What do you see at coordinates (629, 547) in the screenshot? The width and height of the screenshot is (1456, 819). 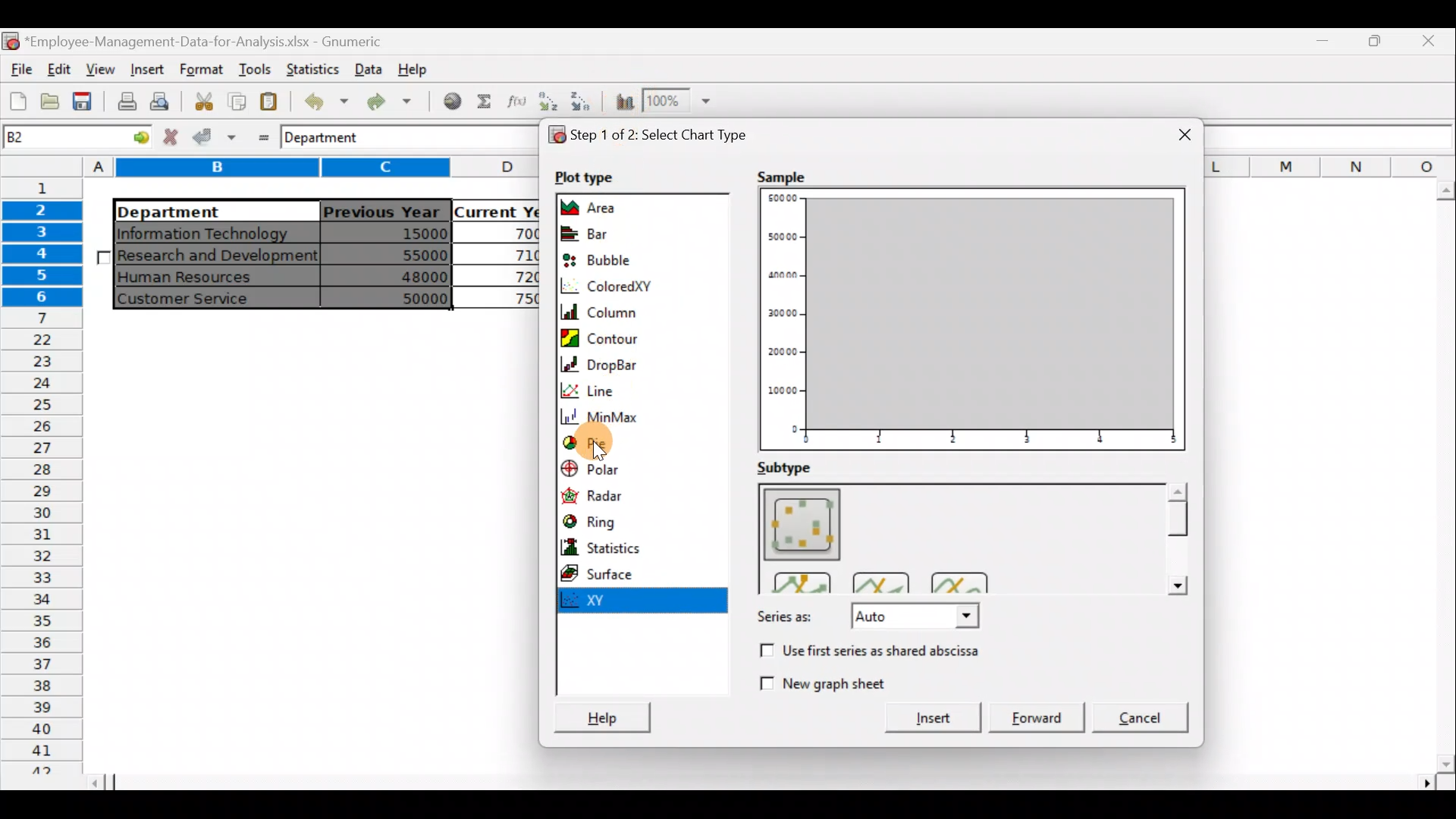 I see `Statistics` at bounding box center [629, 547].